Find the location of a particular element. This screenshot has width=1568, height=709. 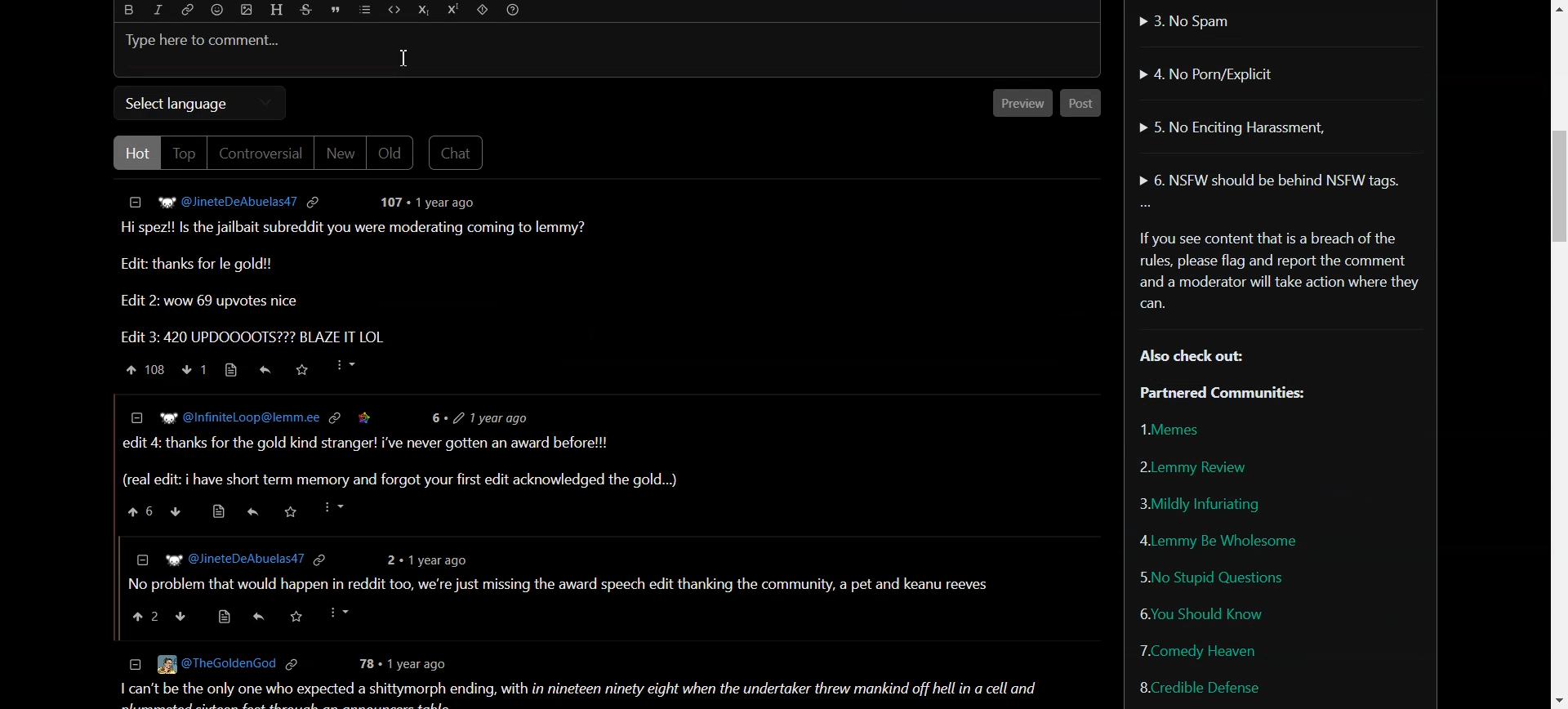

List is located at coordinates (364, 10).